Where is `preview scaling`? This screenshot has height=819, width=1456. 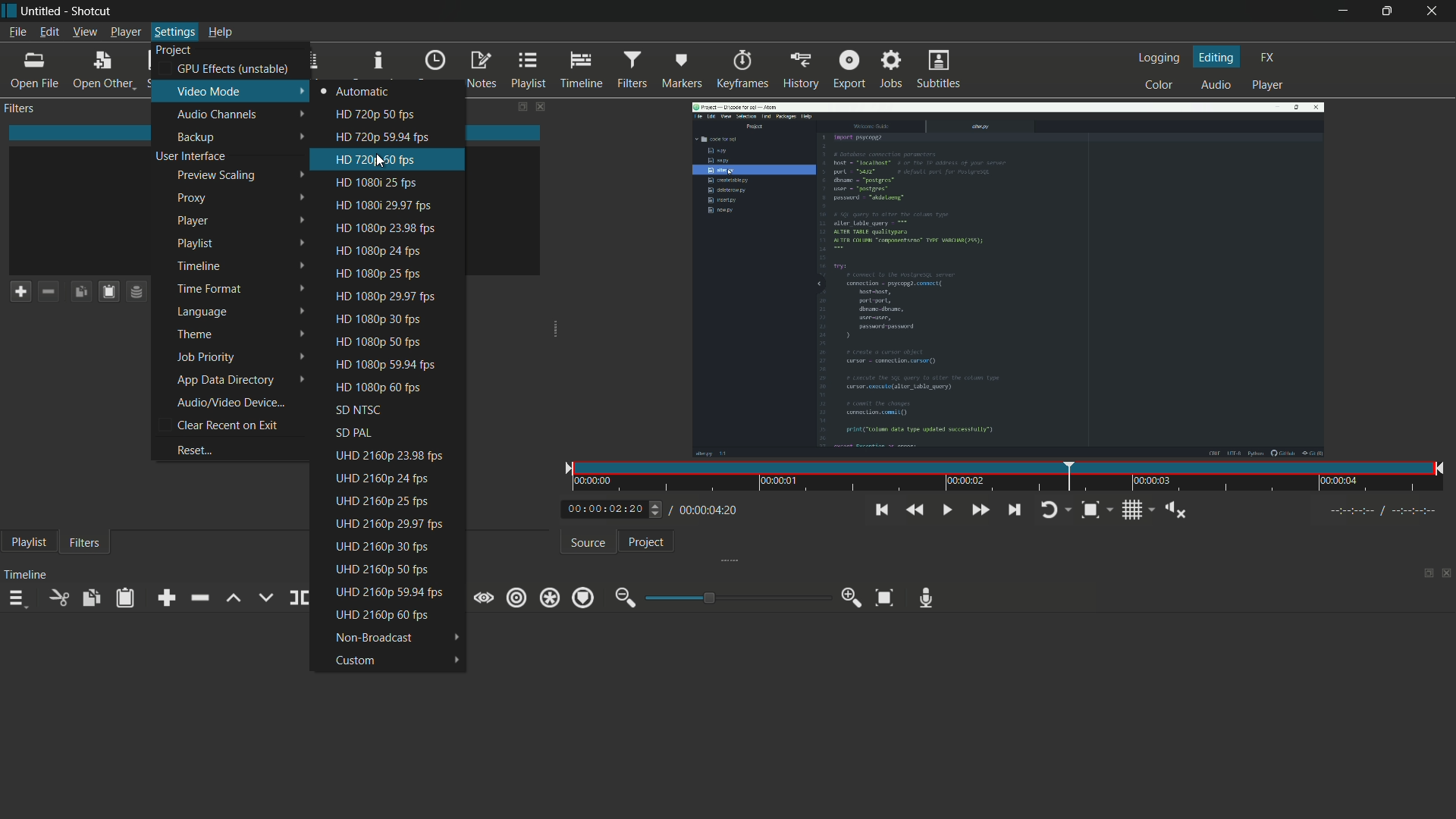
preview scaling is located at coordinates (238, 174).